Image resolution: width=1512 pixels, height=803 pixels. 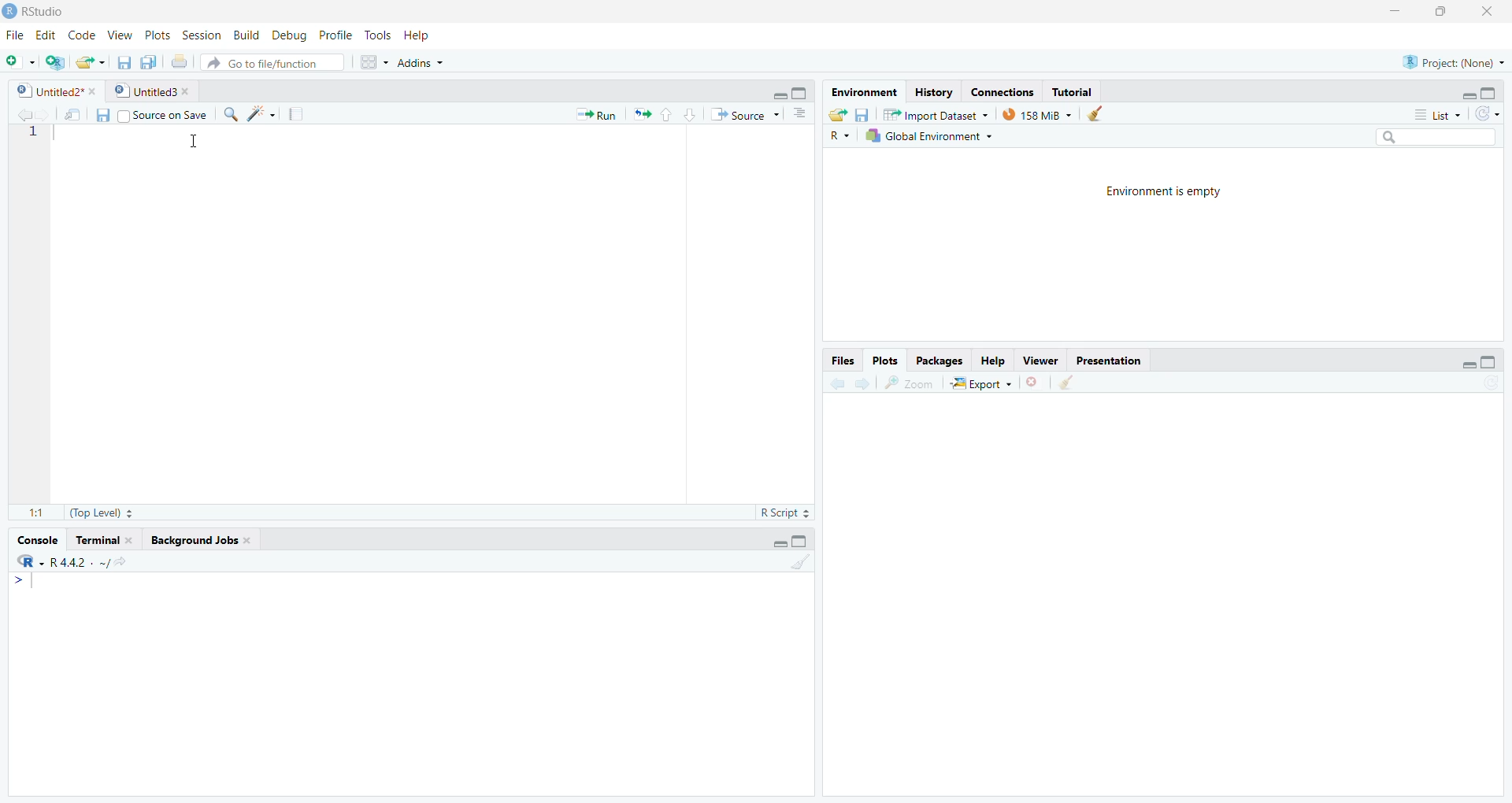 What do you see at coordinates (932, 91) in the screenshot?
I see `History` at bounding box center [932, 91].